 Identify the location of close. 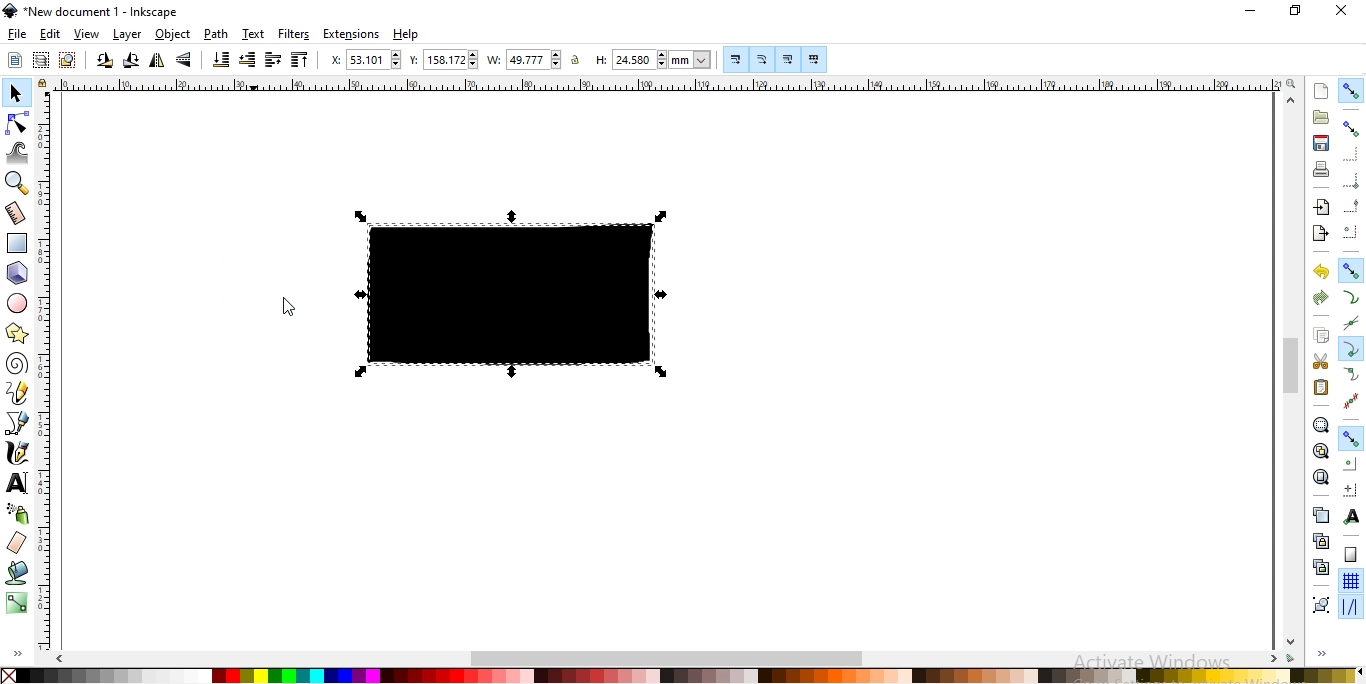
(1346, 10).